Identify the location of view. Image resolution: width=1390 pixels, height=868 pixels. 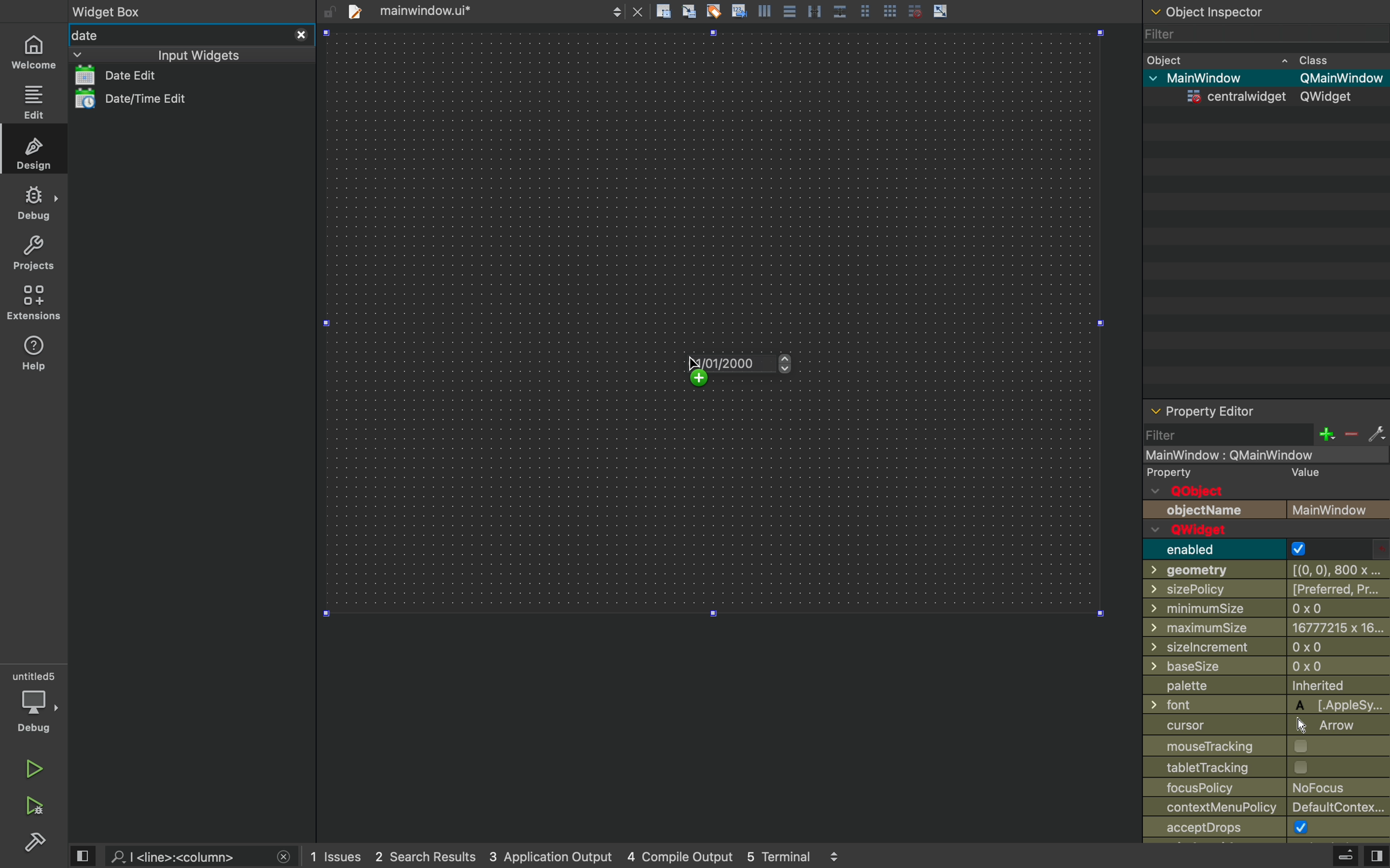
(81, 855).